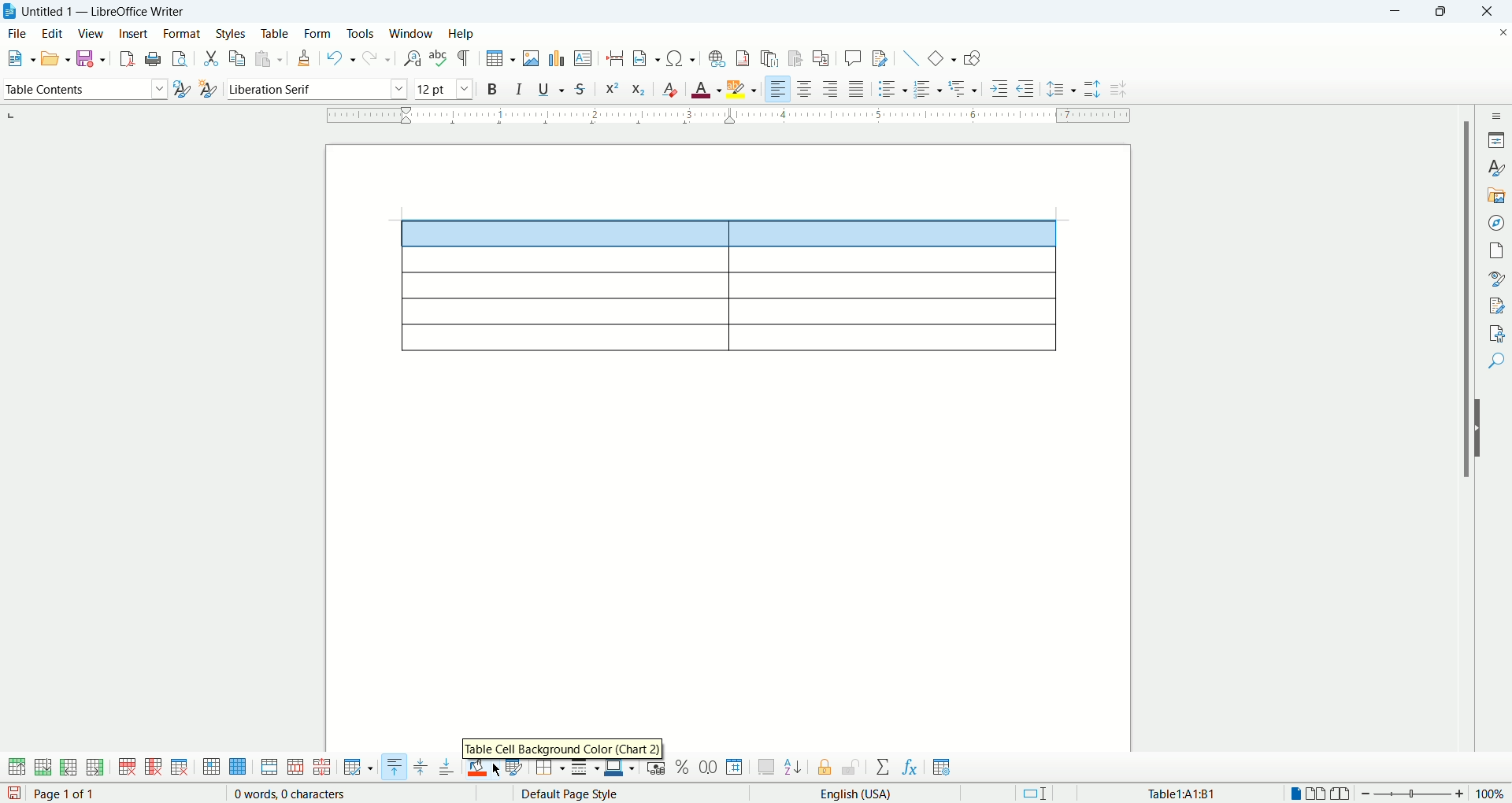  I want to click on align top, so click(393, 767).